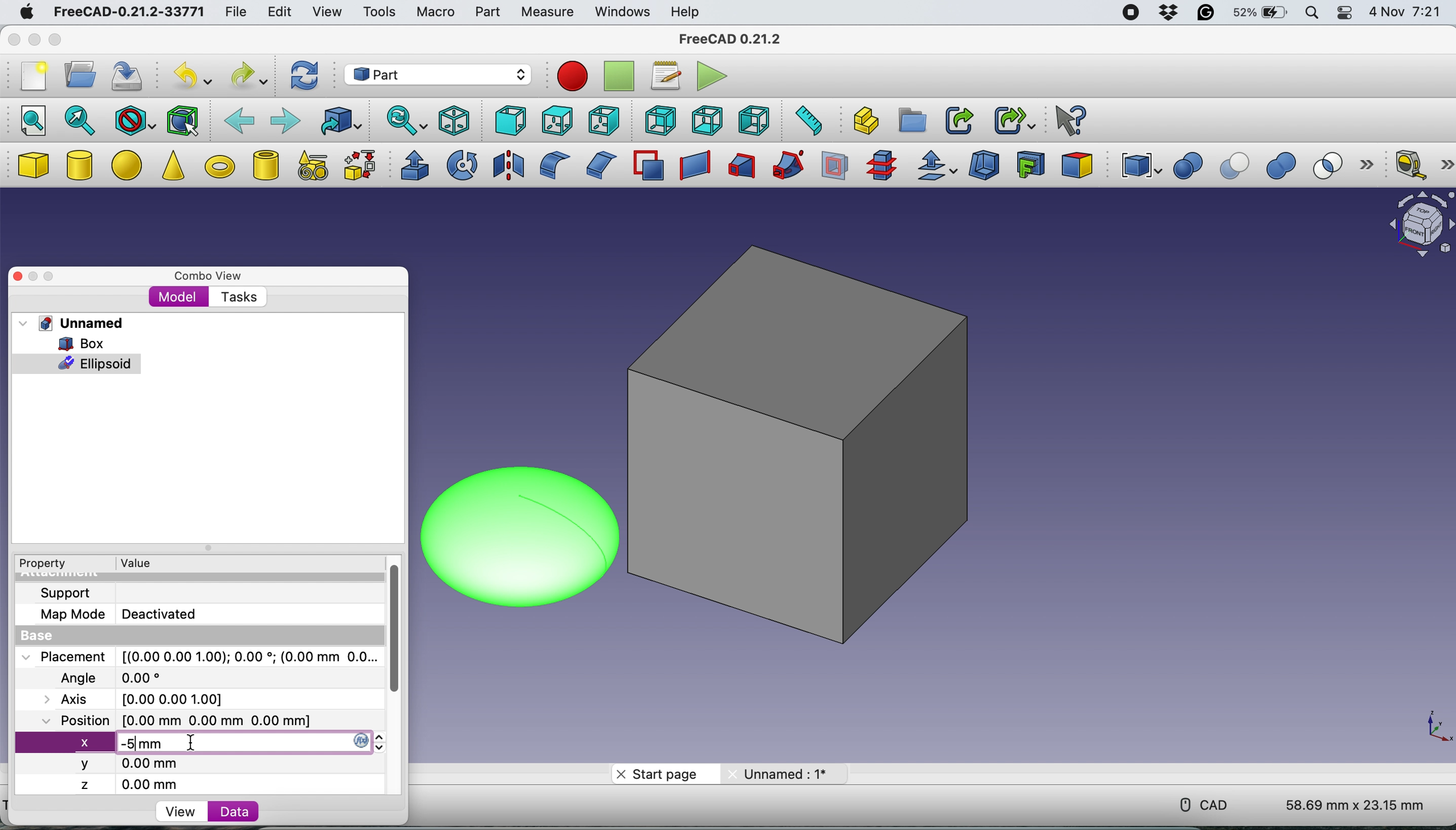 The width and height of the screenshot is (1456, 830). Describe the element at coordinates (236, 297) in the screenshot. I see `tasks` at that location.